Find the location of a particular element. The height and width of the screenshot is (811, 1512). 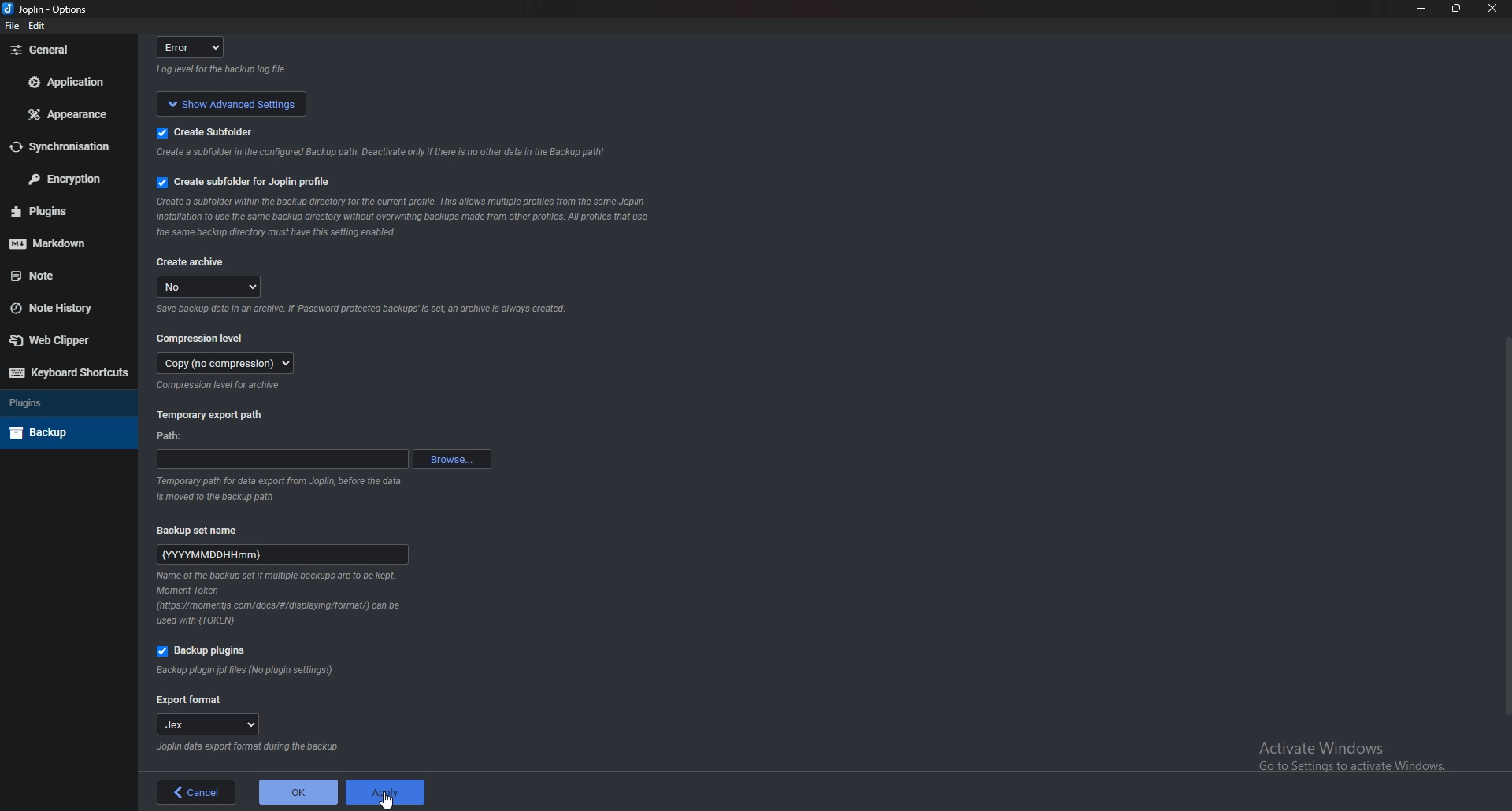

General is located at coordinates (65, 50).